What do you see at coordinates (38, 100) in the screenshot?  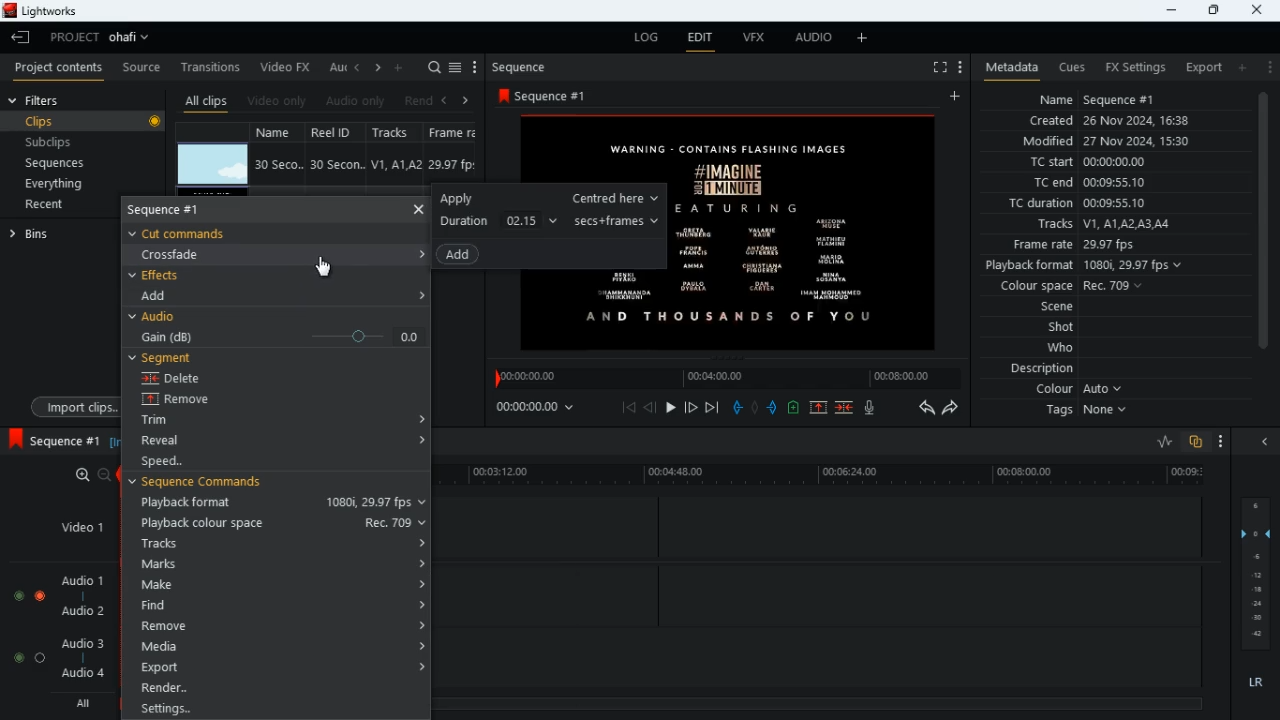 I see `filters` at bounding box center [38, 100].